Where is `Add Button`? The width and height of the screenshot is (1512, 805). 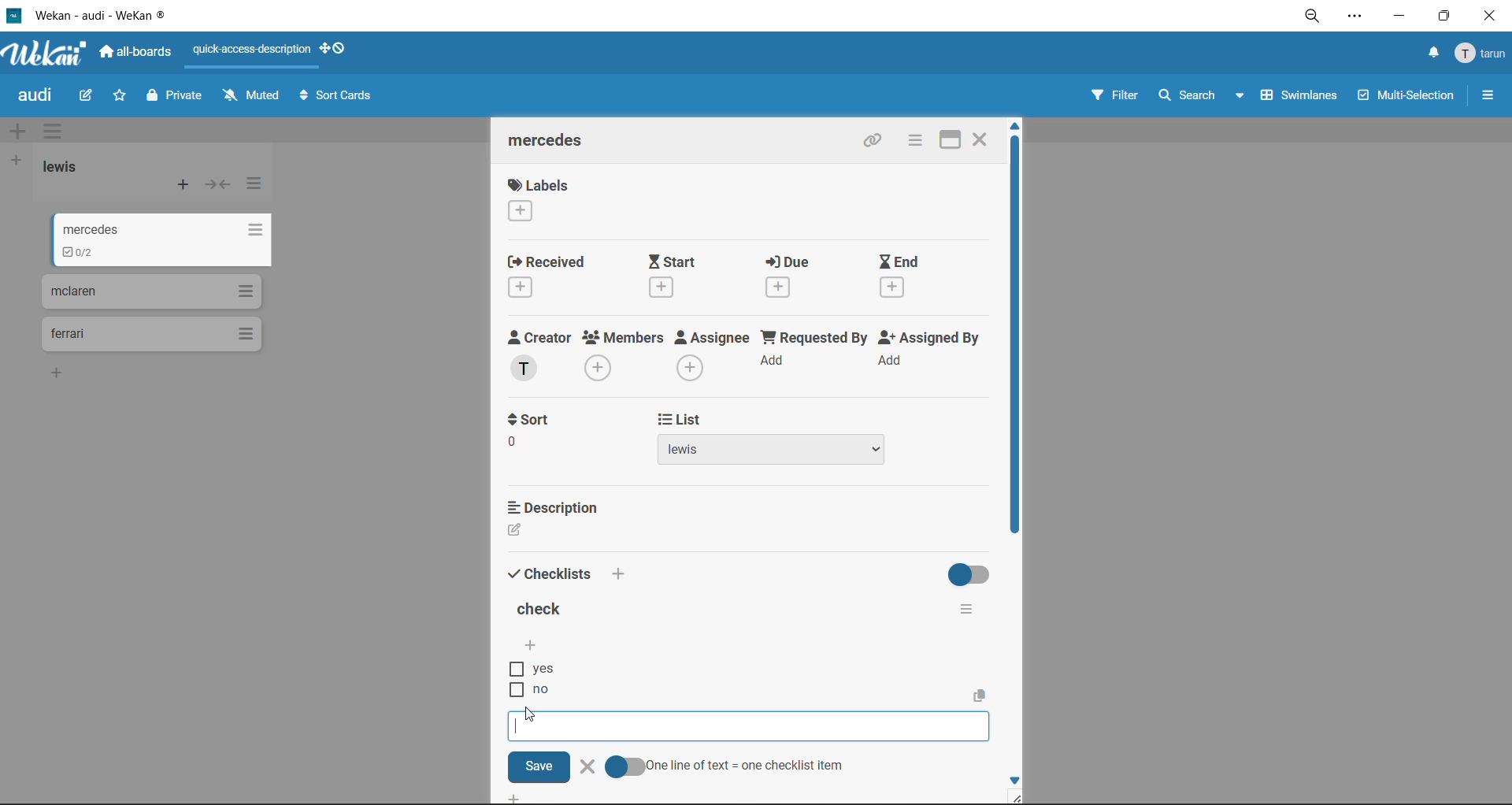 Add Button is located at coordinates (519, 796).